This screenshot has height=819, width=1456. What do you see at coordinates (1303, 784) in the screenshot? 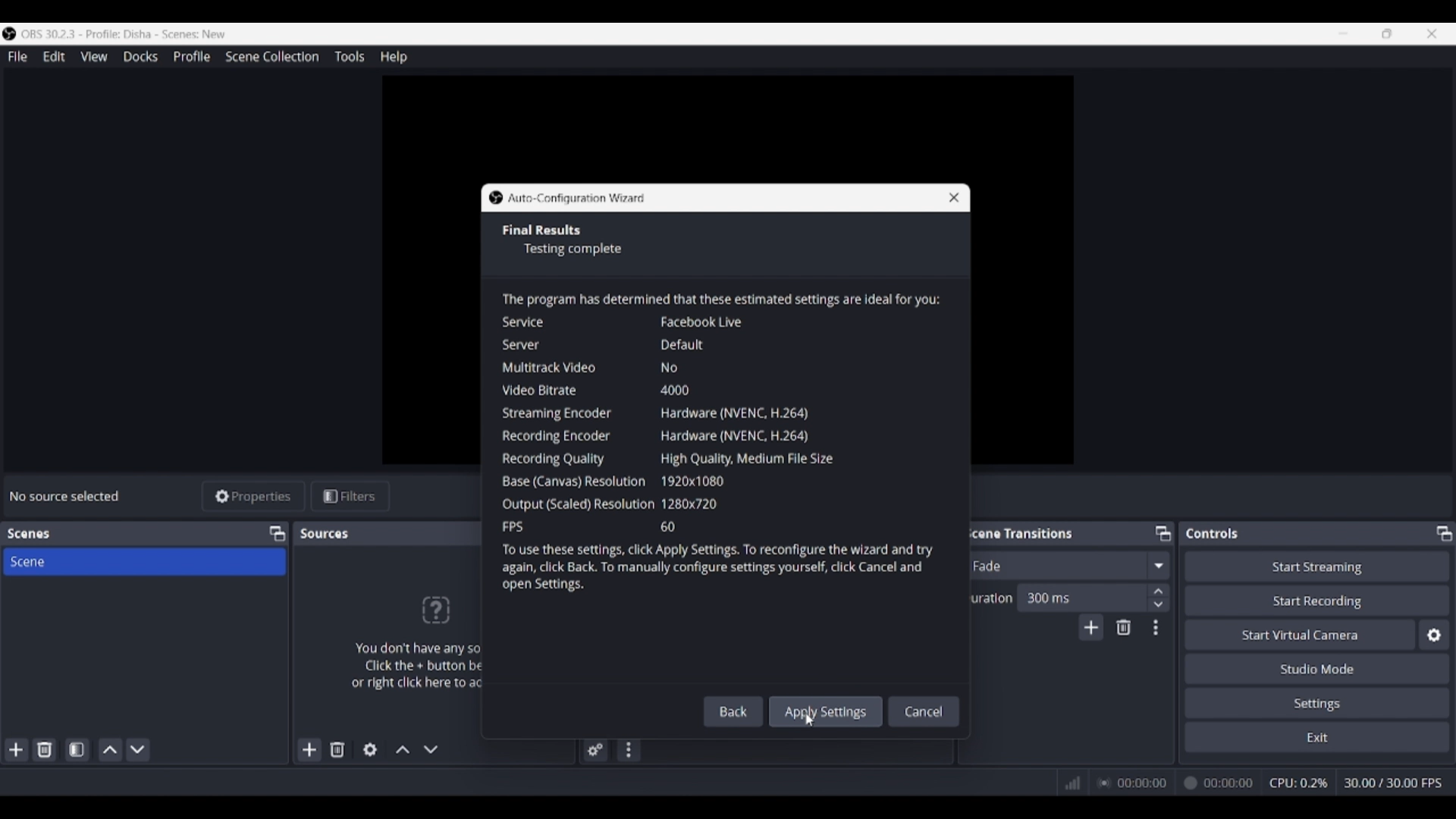
I see `CPU: 0.0%` at bounding box center [1303, 784].